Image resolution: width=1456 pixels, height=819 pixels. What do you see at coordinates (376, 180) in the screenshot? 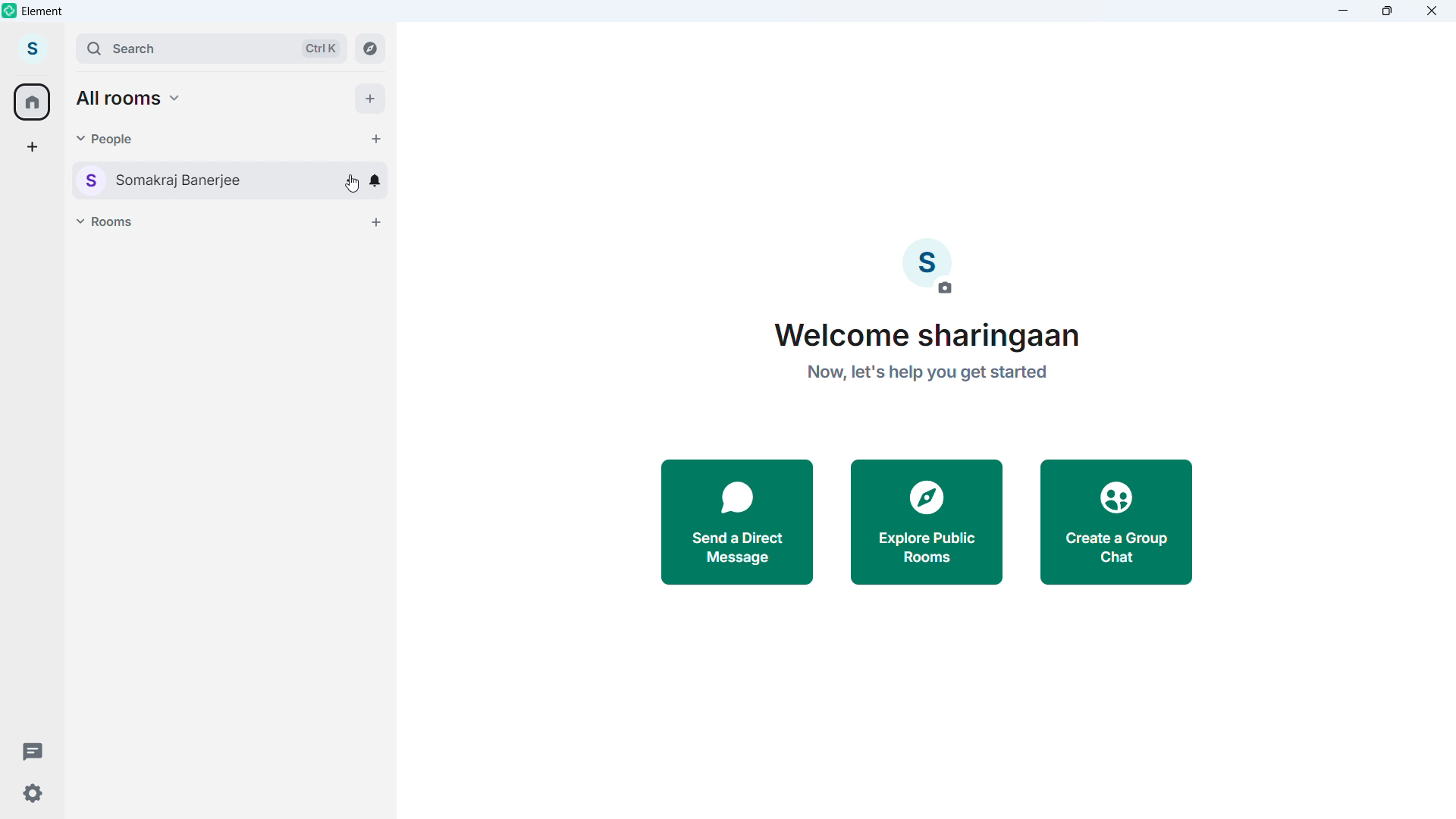
I see `Conversation notification setting ` at bounding box center [376, 180].